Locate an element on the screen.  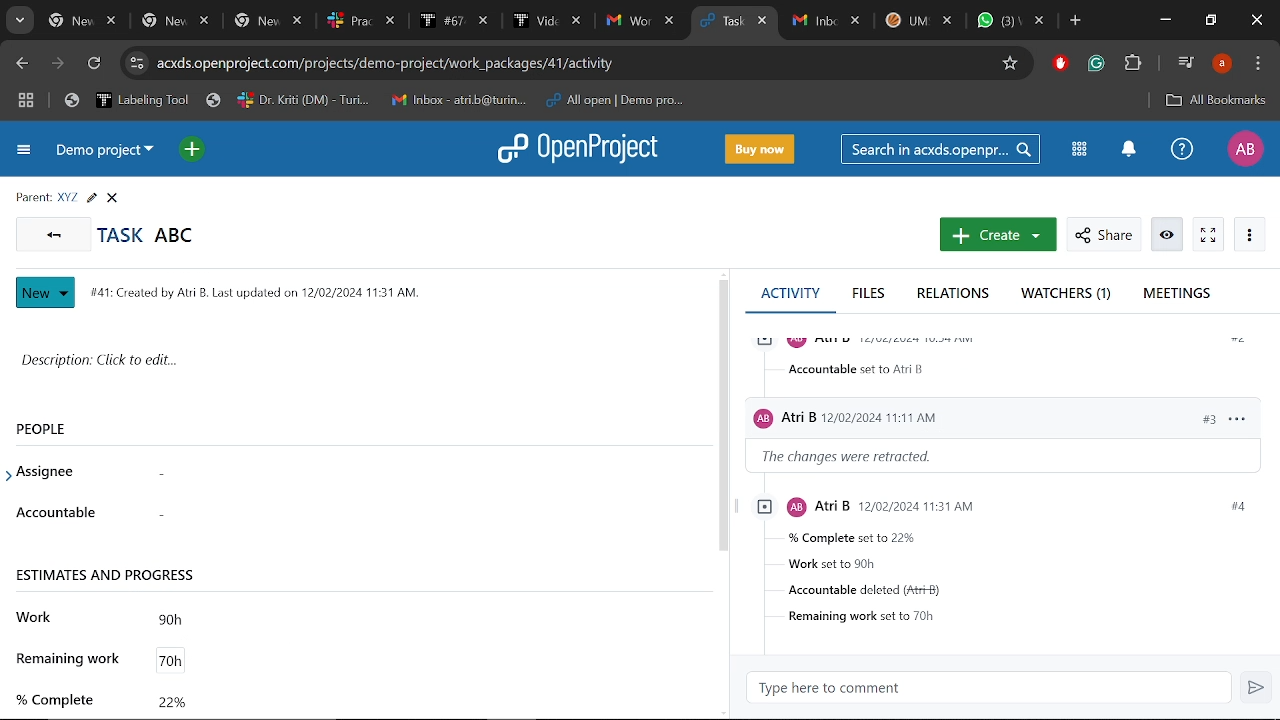
Estimates and progress is located at coordinates (129, 572).